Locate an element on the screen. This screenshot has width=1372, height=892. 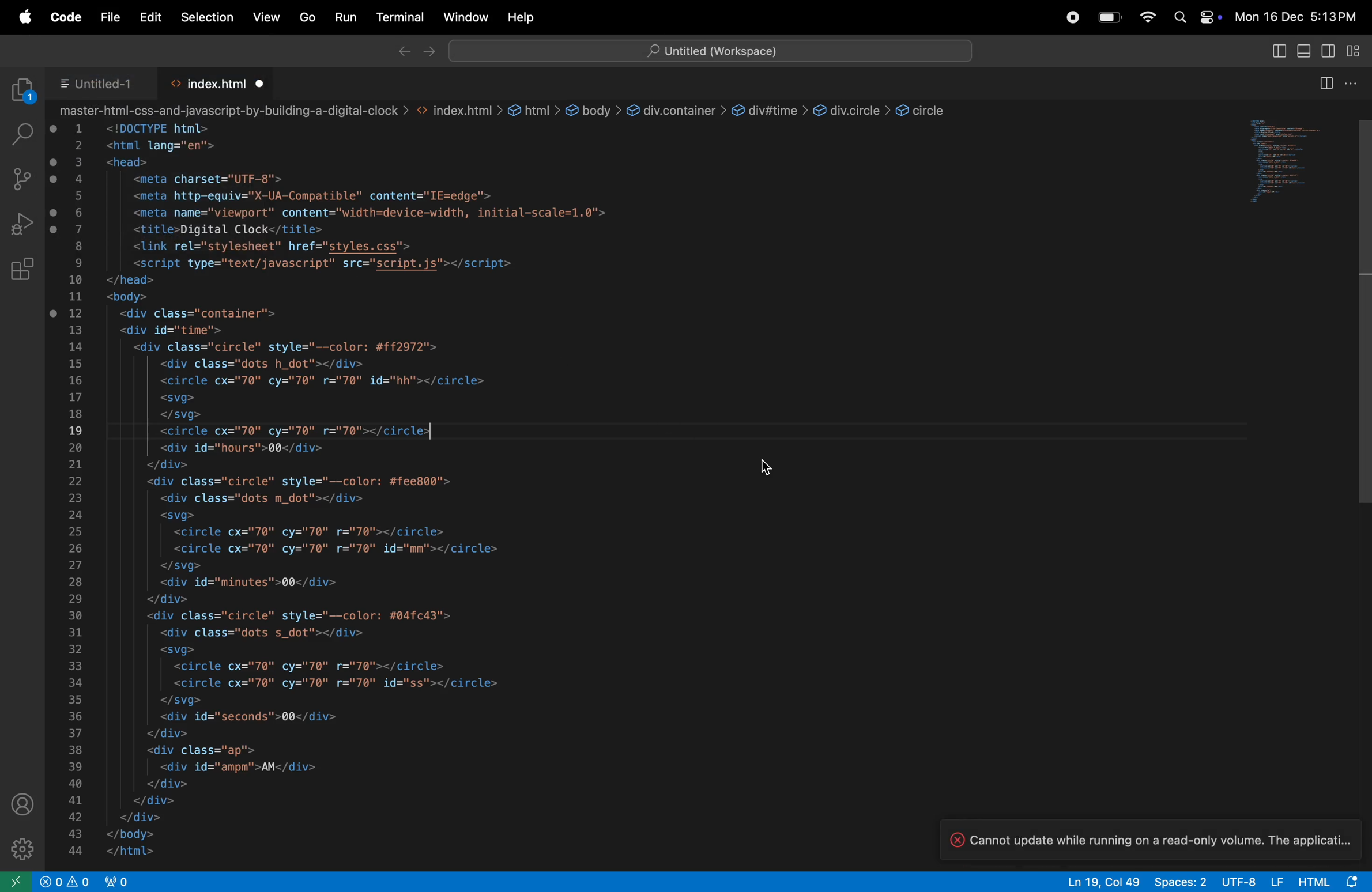
search is located at coordinates (22, 135).